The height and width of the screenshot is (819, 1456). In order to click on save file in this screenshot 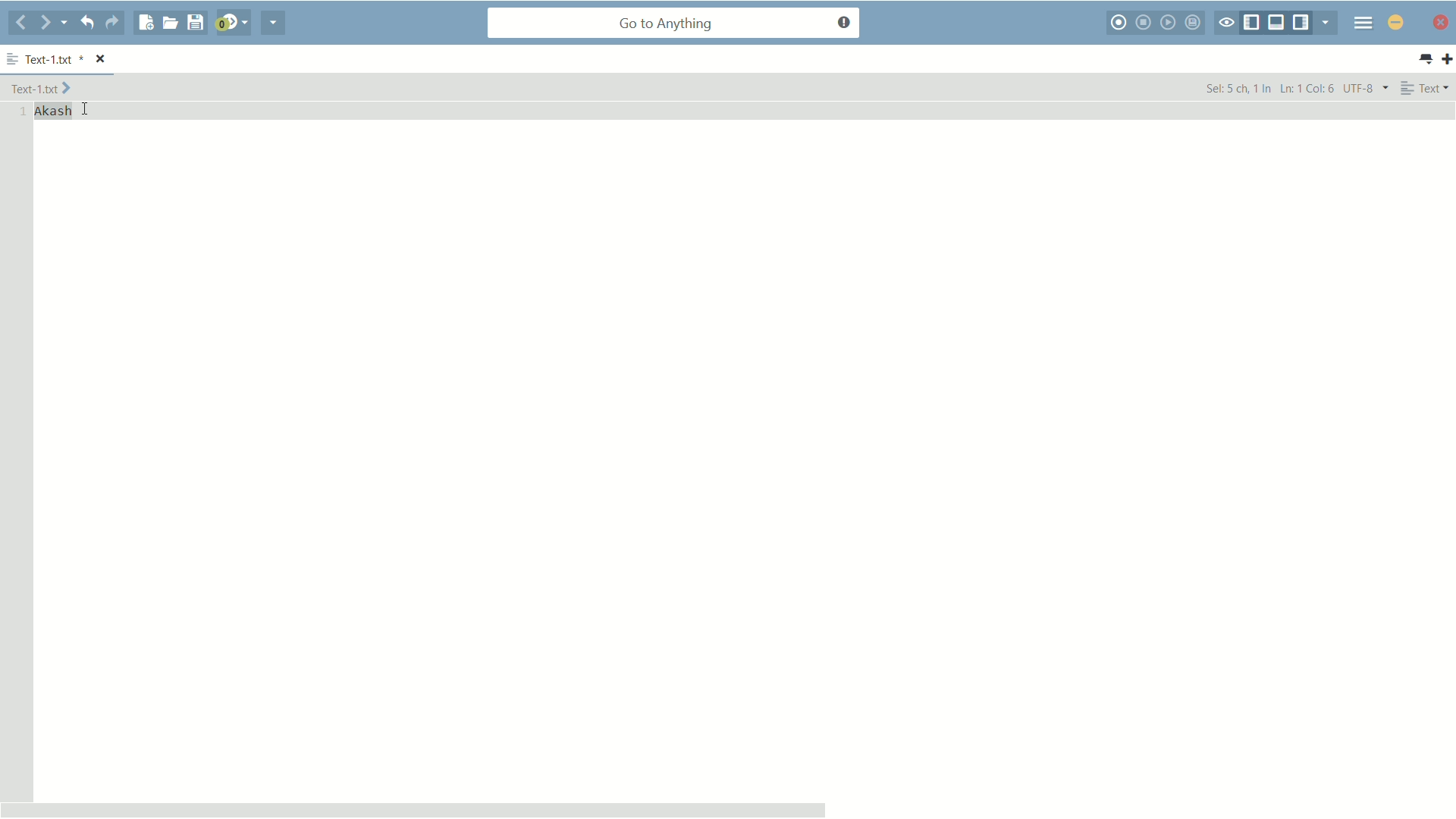, I will do `click(195, 24)`.